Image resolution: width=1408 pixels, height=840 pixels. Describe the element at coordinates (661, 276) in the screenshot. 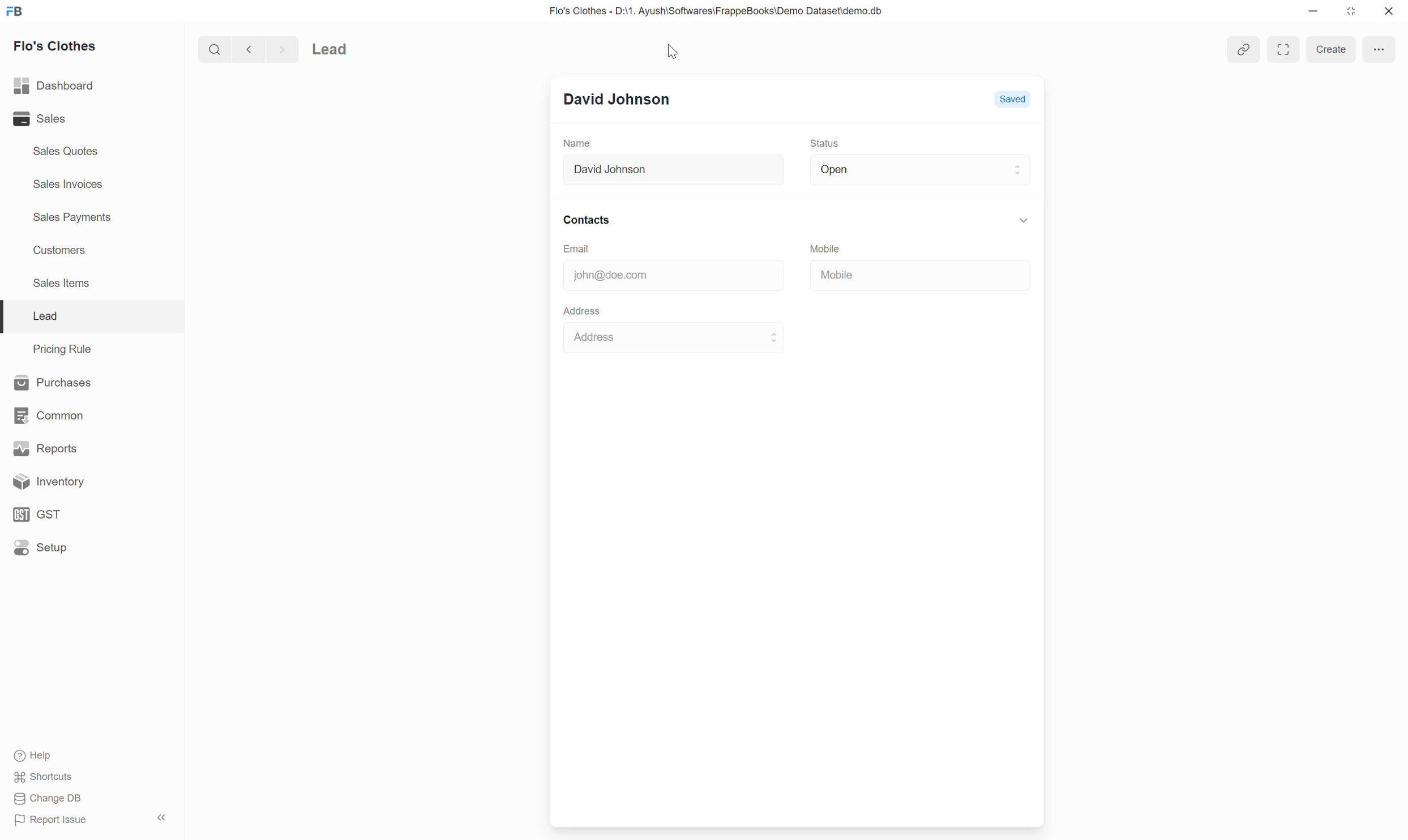

I see `john@doe.com` at that location.